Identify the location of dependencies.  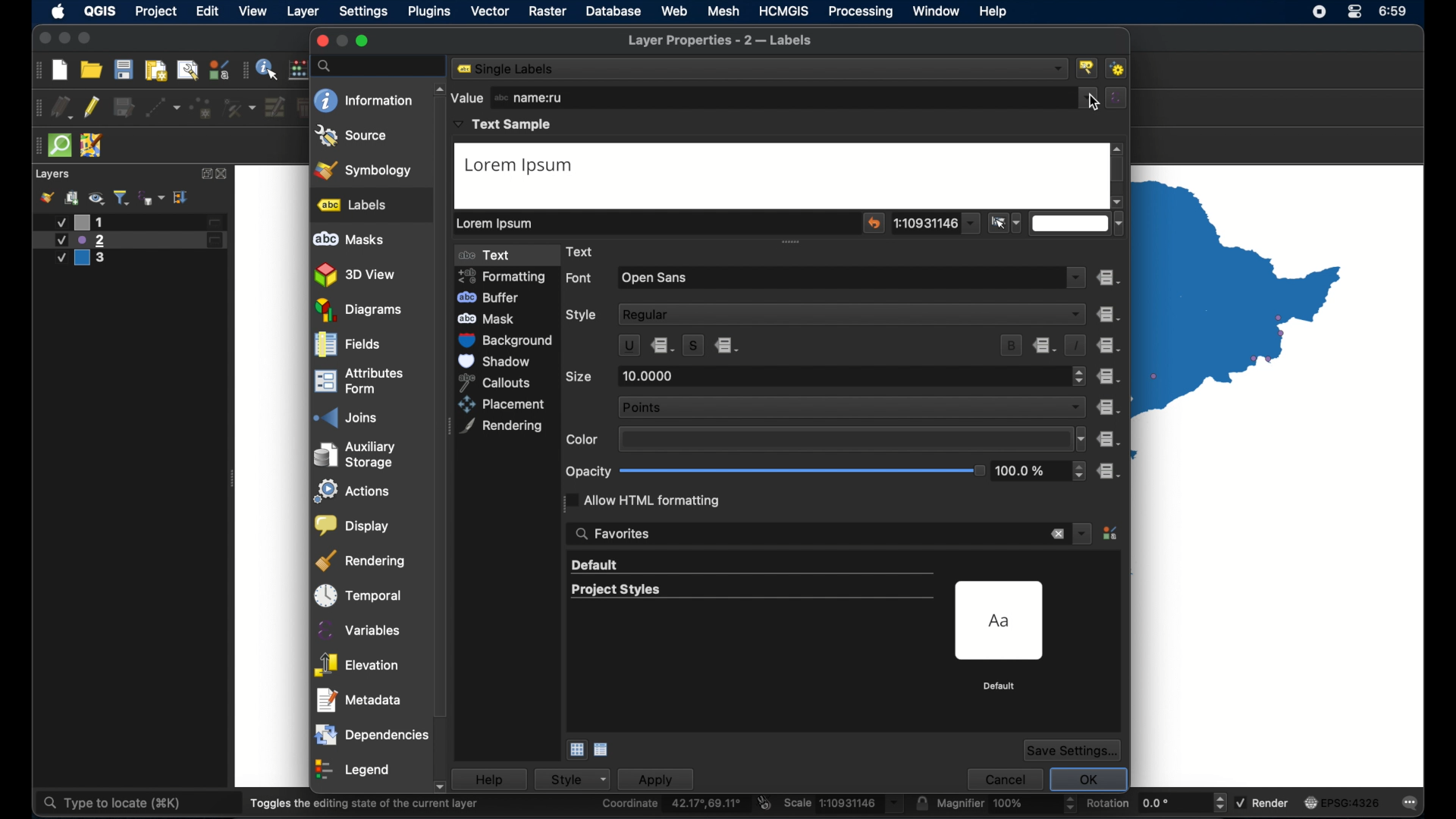
(371, 732).